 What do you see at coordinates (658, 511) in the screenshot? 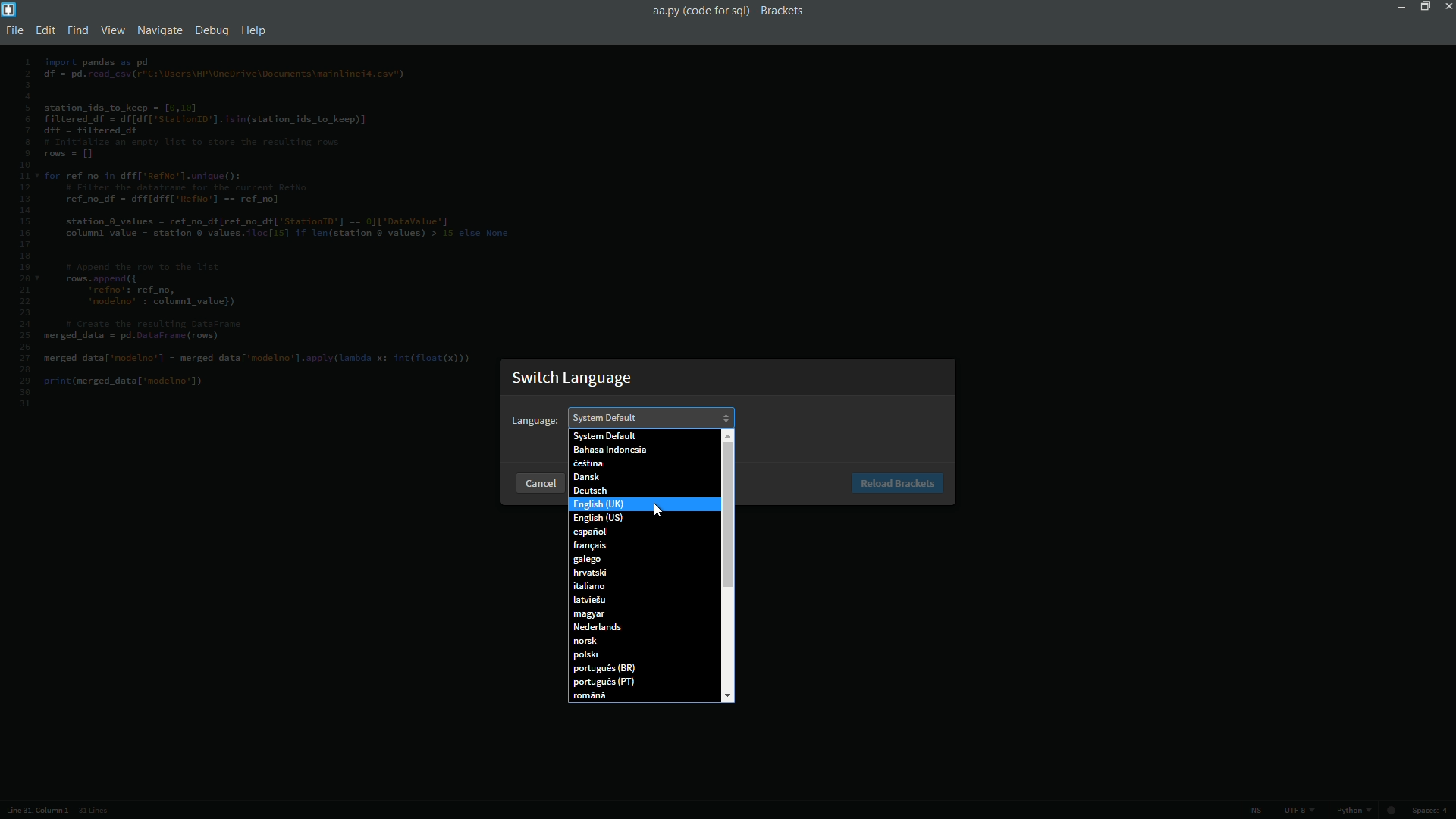
I see `cursor` at bounding box center [658, 511].